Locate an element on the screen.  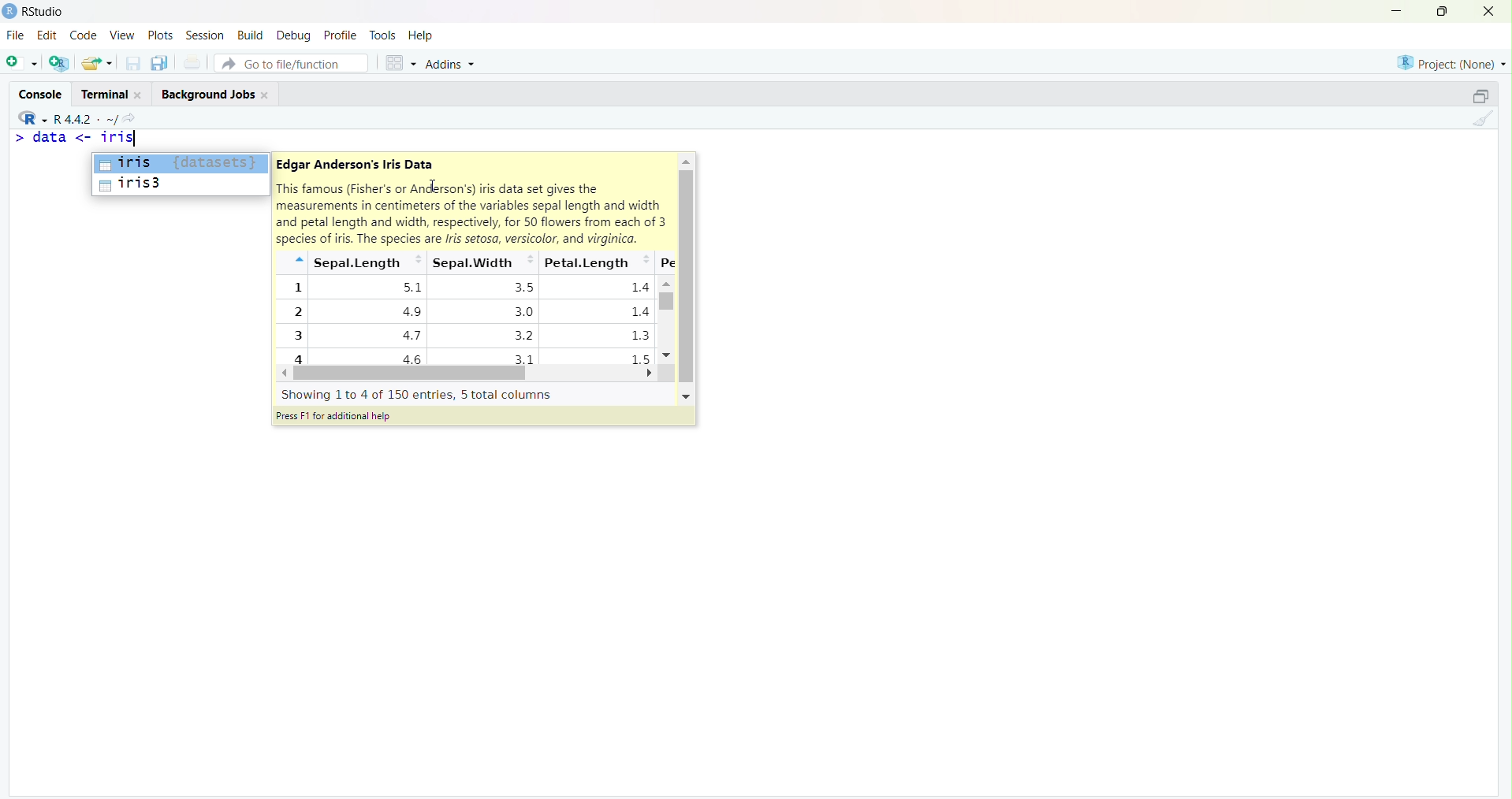
Print the current file is located at coordinates (192, 64).